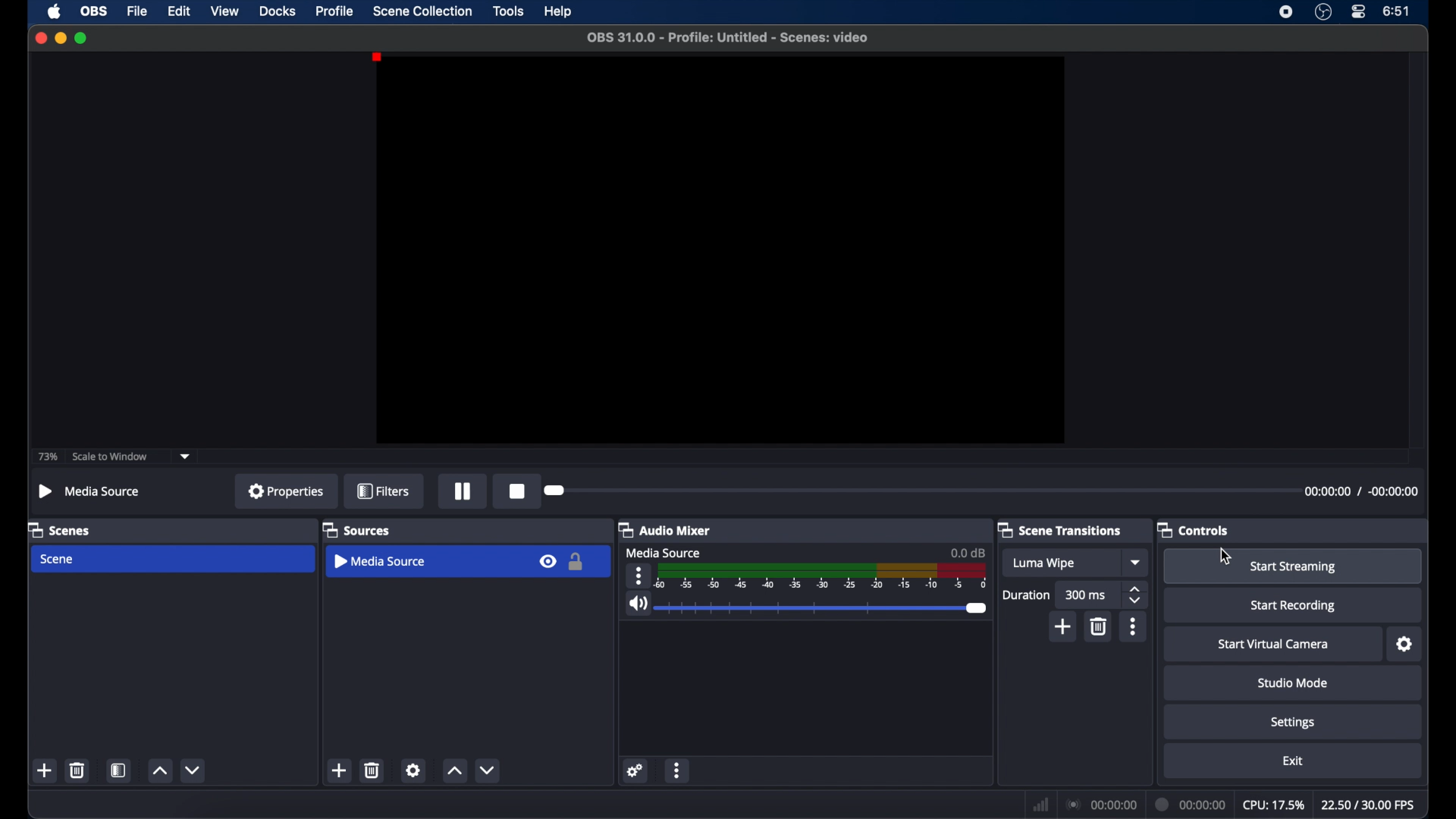 The height and width of the screenshot is (819, 1456). I want to click on 300ms, so click(1086, 595).